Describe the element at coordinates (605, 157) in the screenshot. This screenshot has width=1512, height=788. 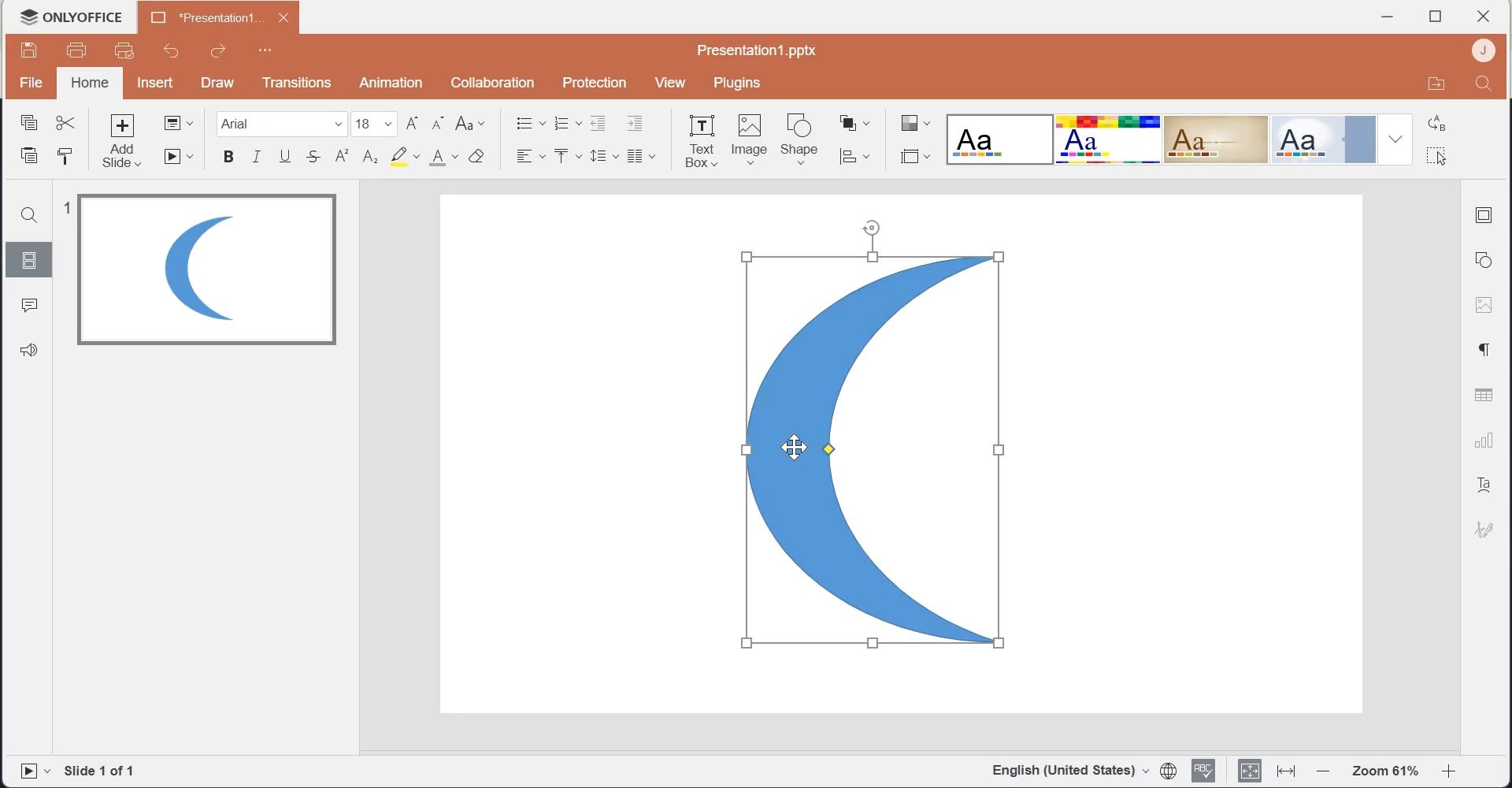
I see `Line spacing` at that location.